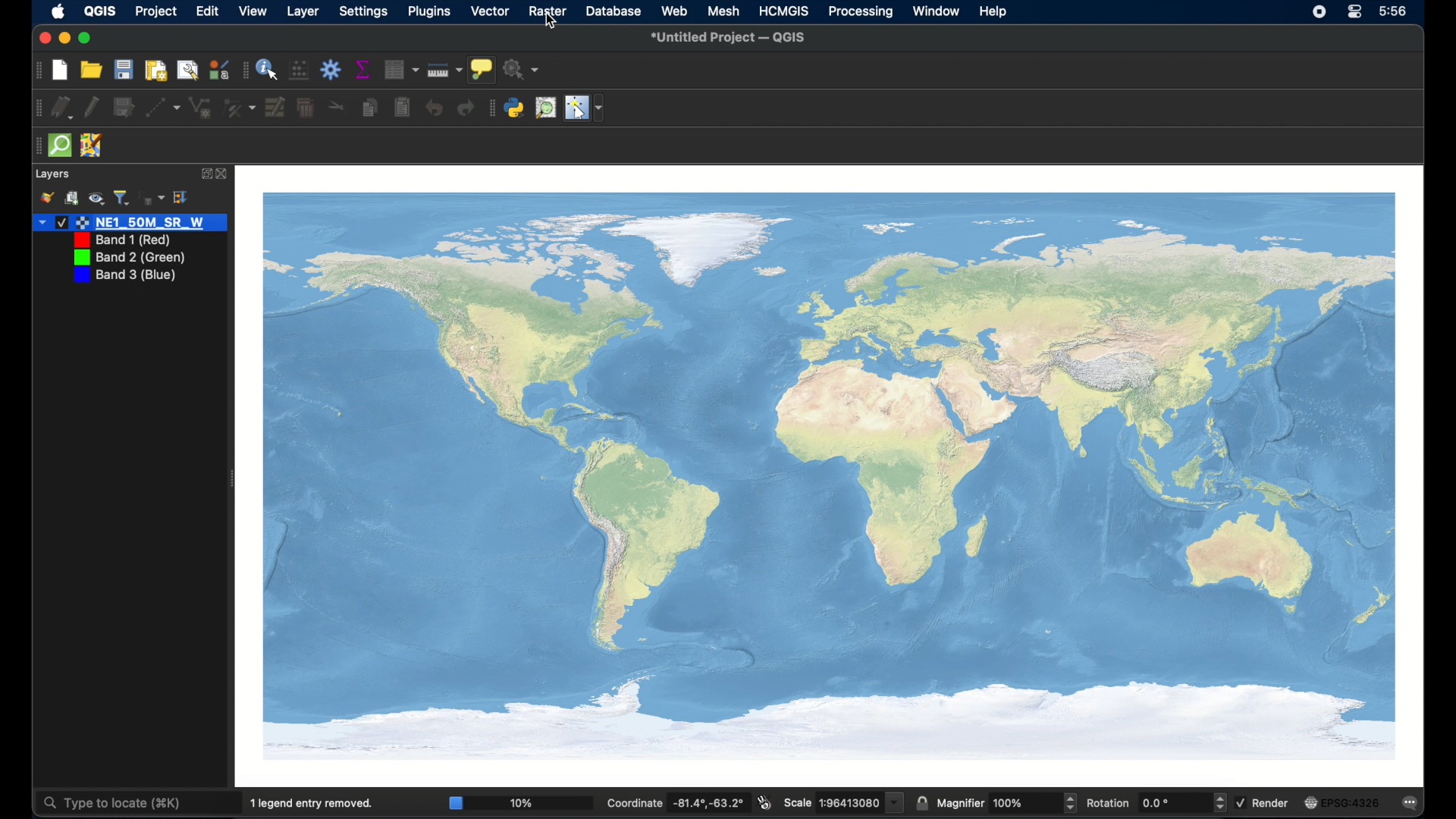 The height and width of the screenshot is (819, 1456). I want to click on open field calculator, so click(300, 71).